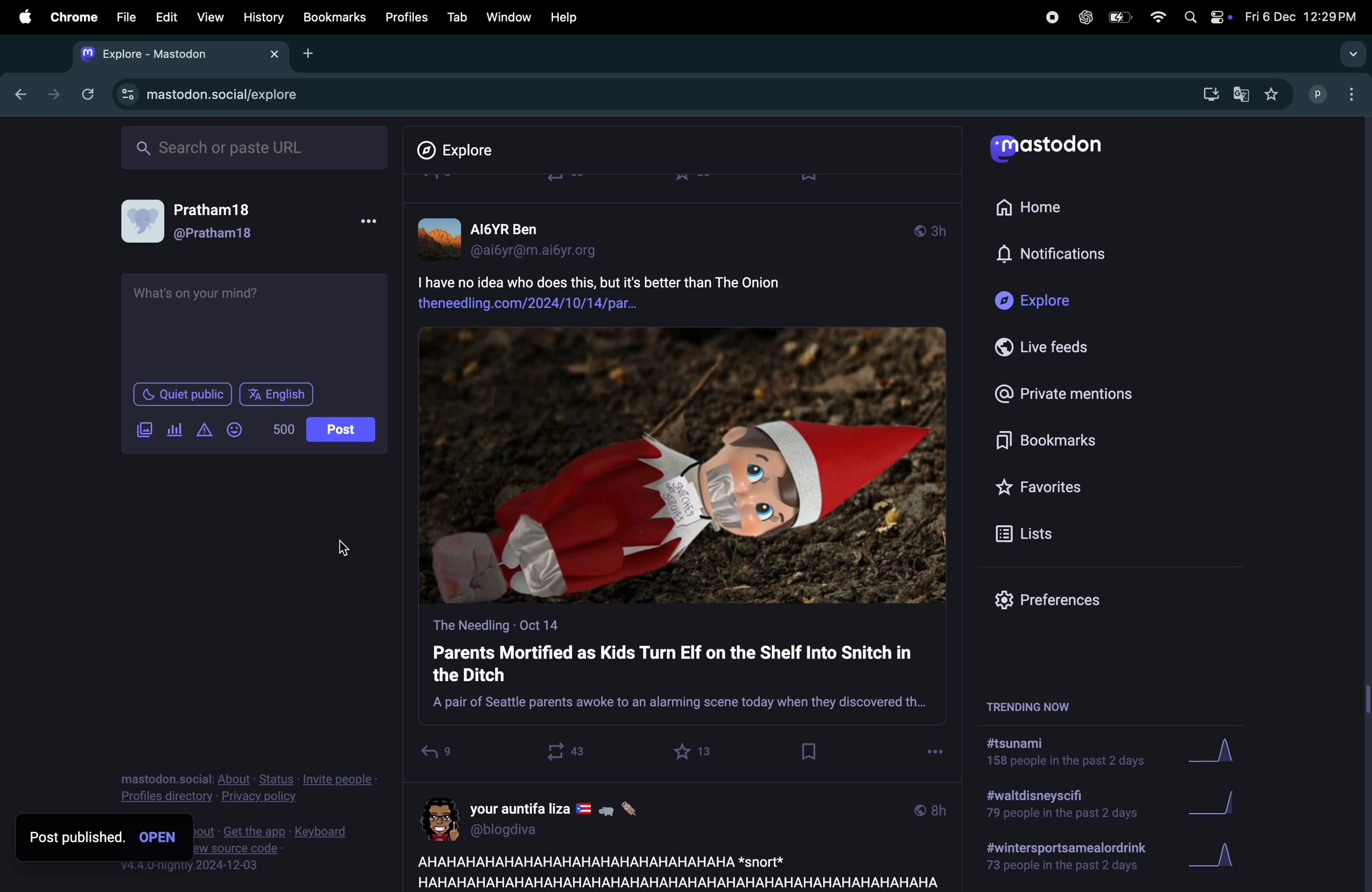 The width and height of the screenshot is (1372, 892). What do you see at coordinates (643, 290) in the screenshot?
I see `post description` at bounding box center [643, 290].